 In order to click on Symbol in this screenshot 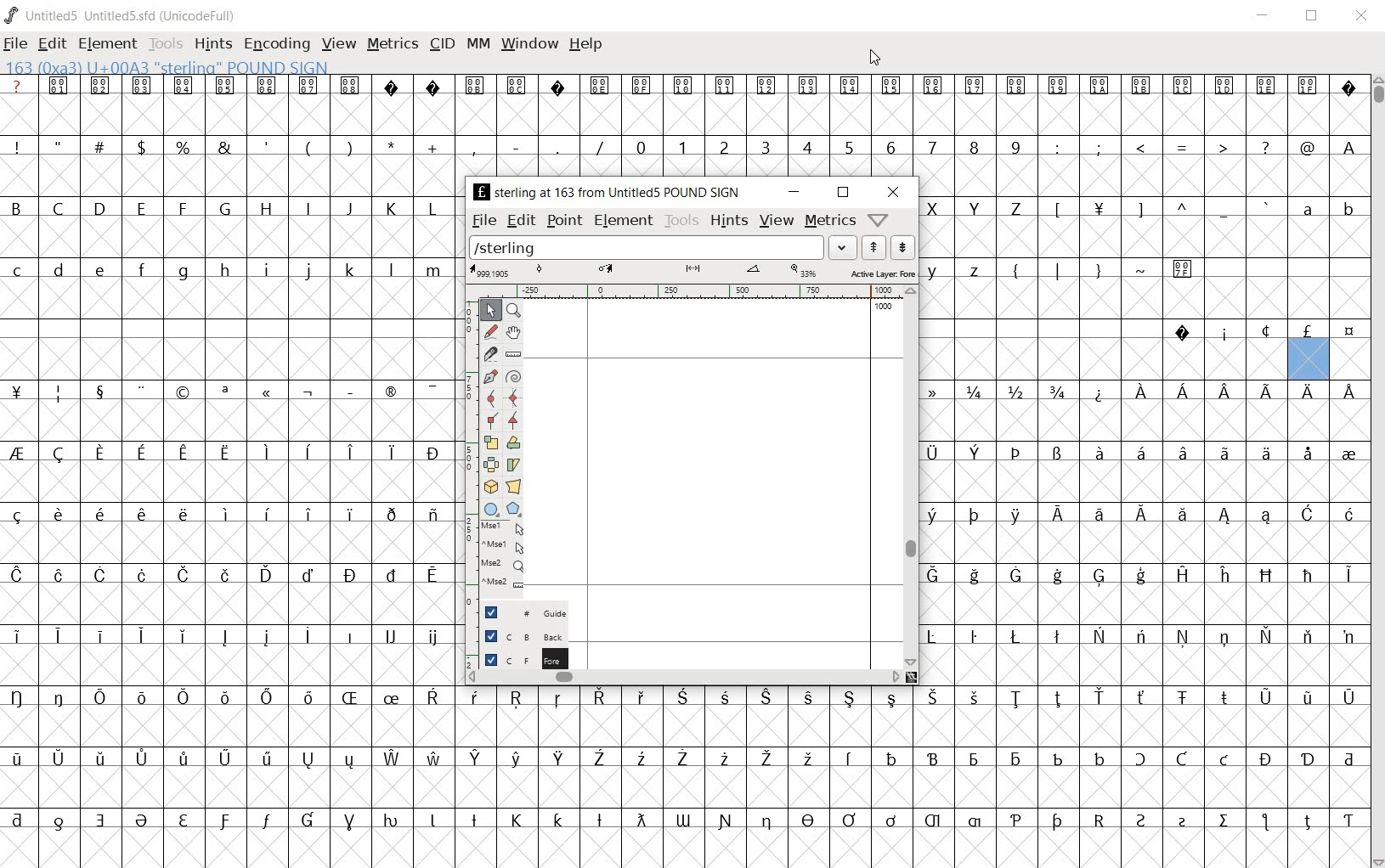, I will do `click(852, 86)`.